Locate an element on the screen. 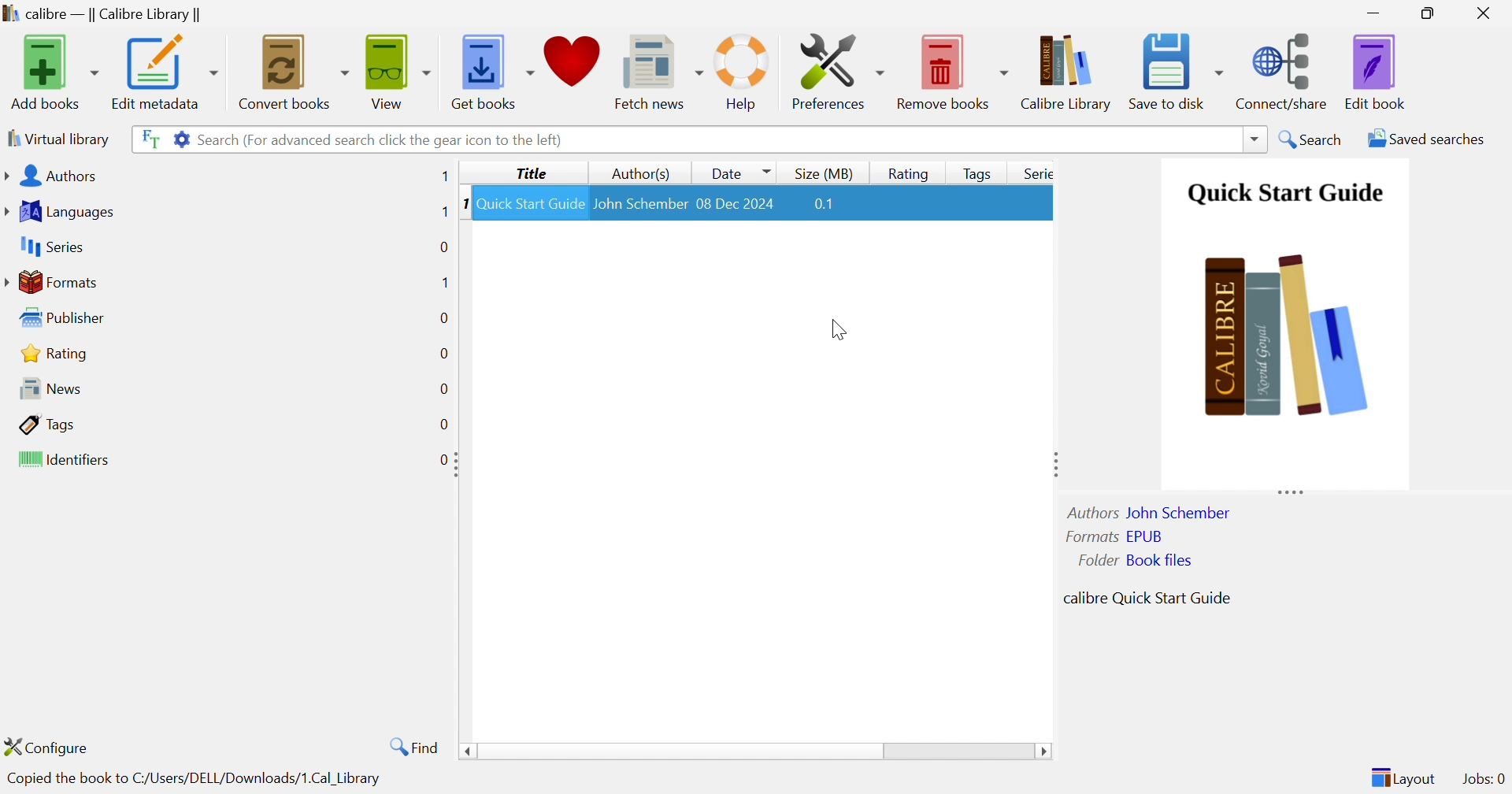  0 is located at coordinates (447, 421).